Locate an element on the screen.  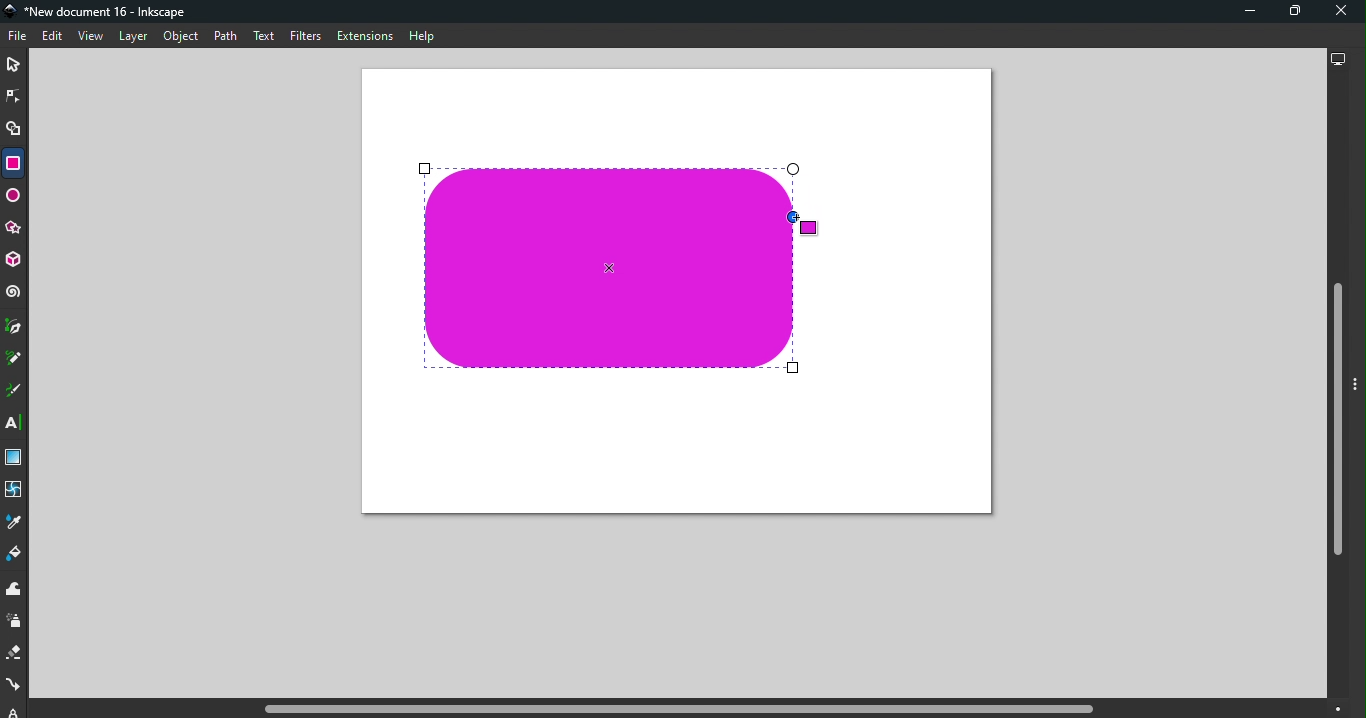
Connector tool is located at coordinates (14, 686).